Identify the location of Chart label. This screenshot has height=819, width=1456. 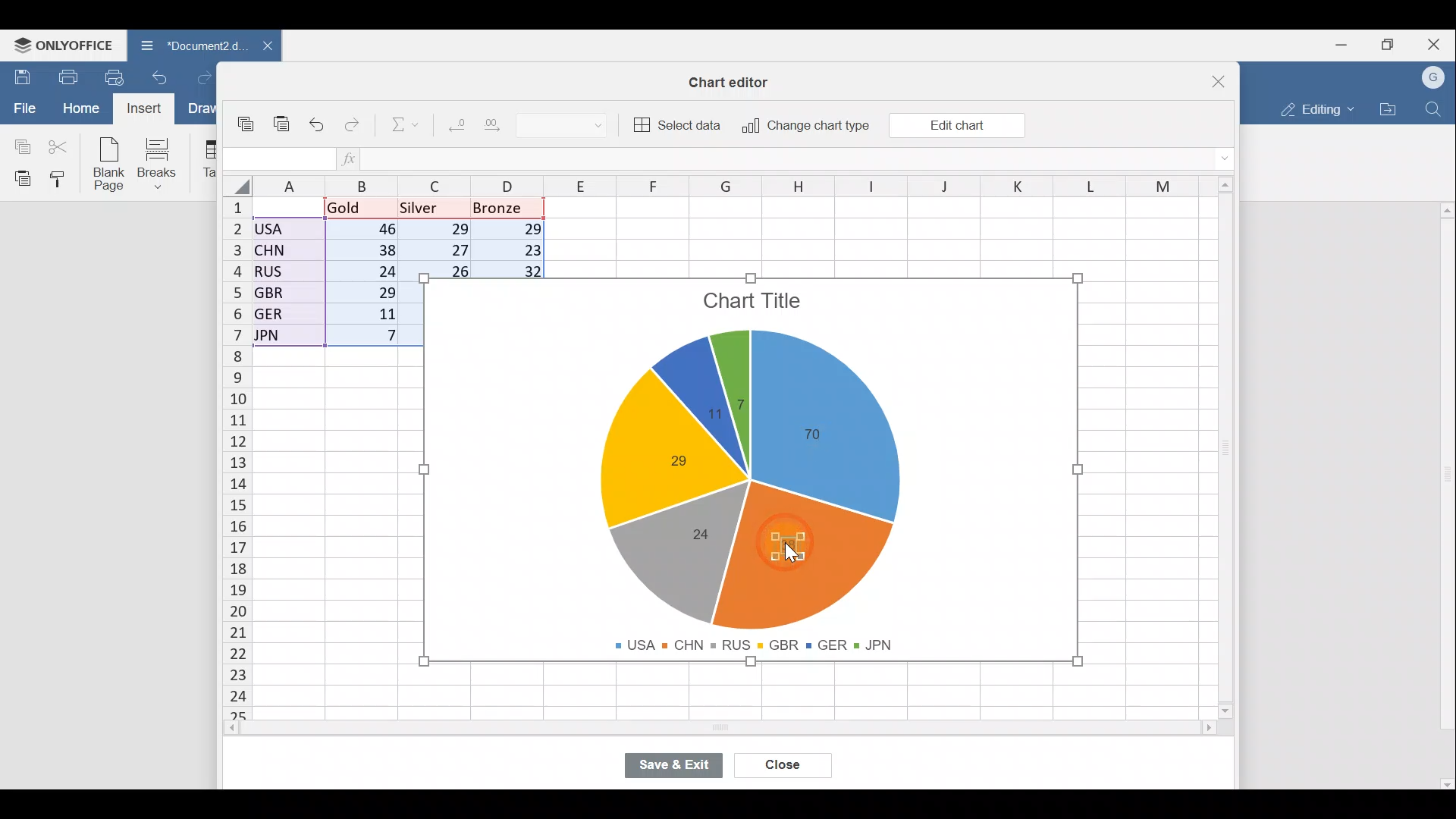
(667, 460).